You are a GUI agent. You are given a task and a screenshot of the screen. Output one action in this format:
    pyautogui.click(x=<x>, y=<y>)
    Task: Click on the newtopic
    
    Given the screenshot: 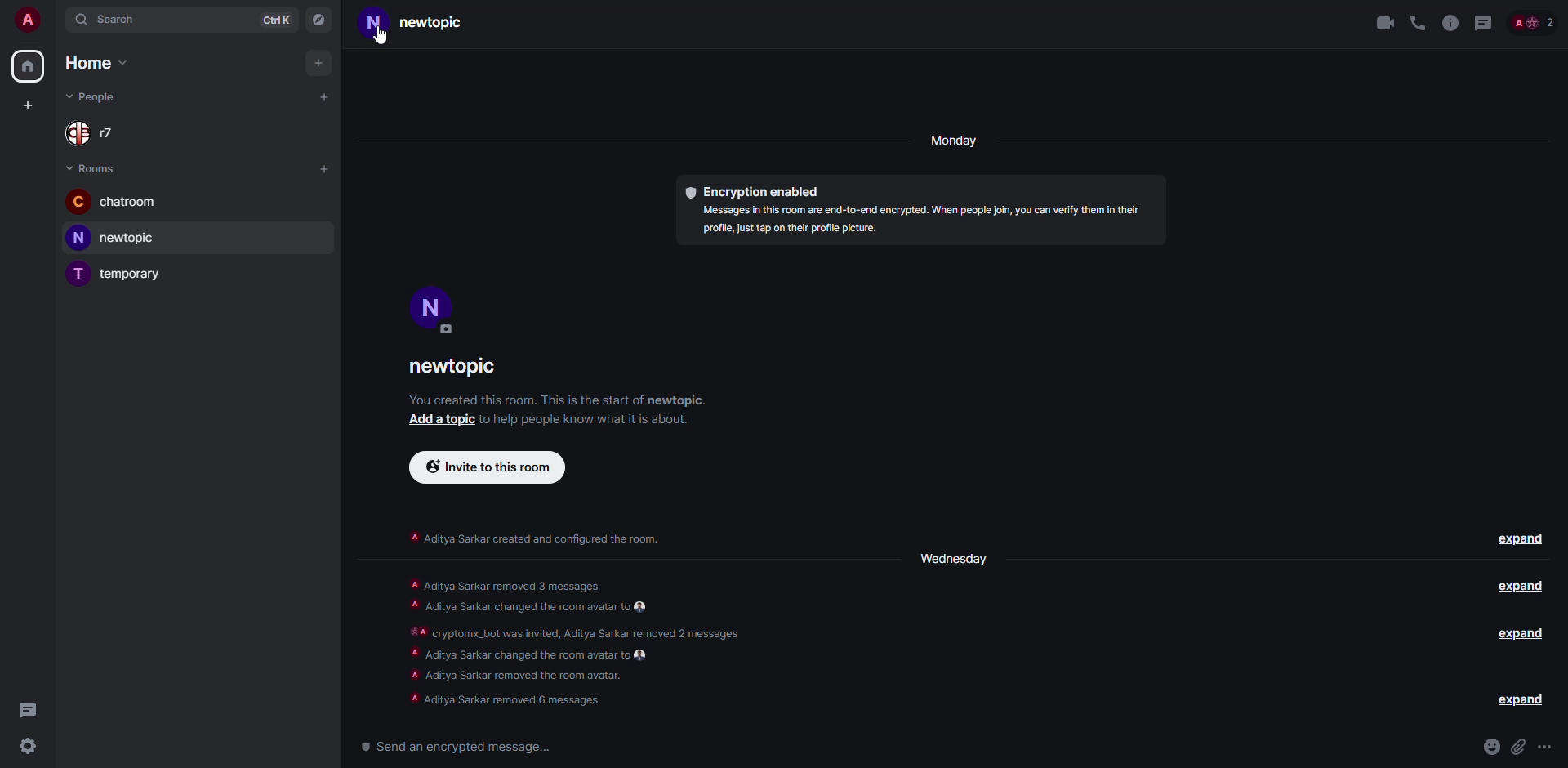 What is the action you would take?
    pyautogui.click(x=116, y=236)
    